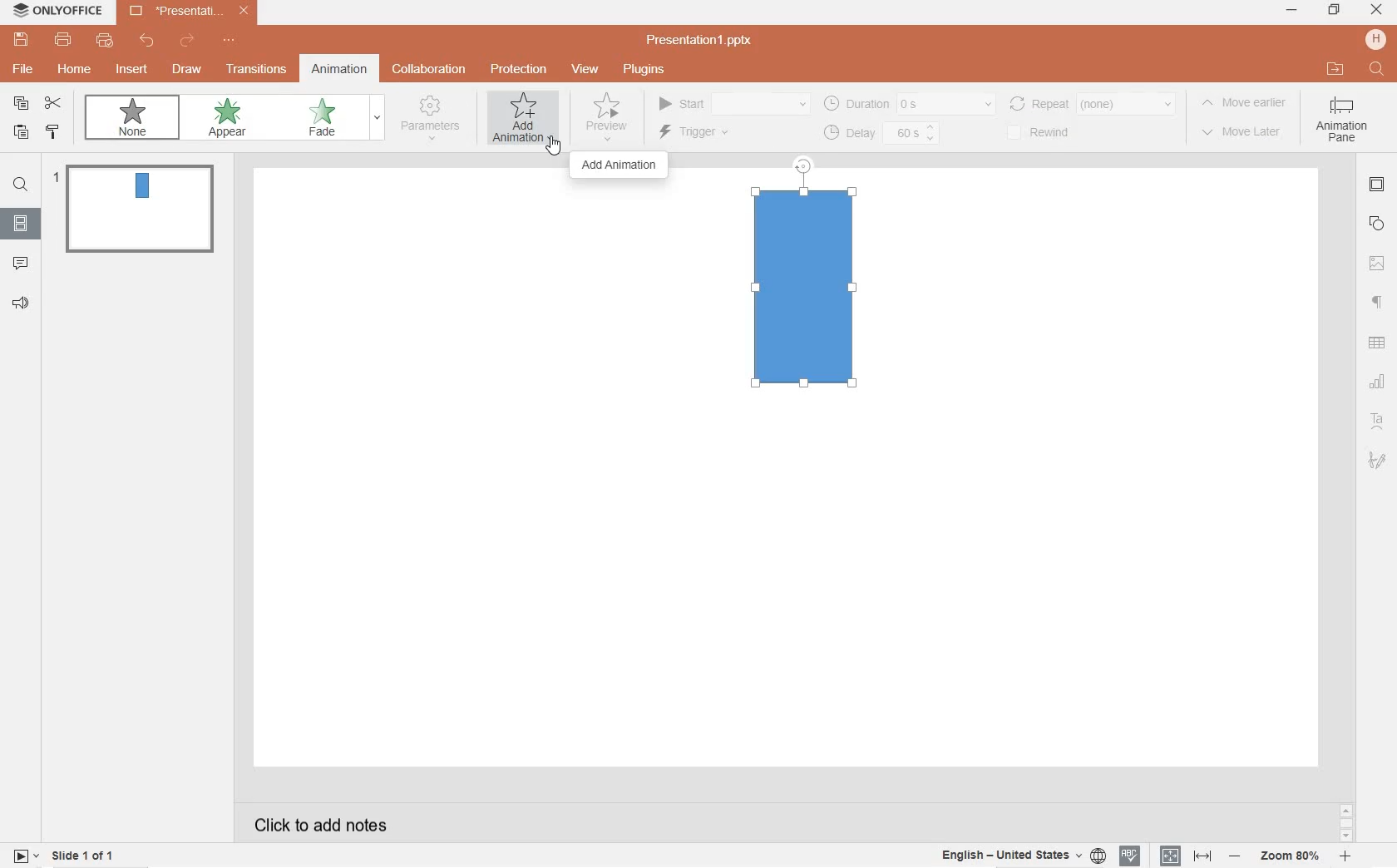  I want to click on FIND, so click(1378, 70).